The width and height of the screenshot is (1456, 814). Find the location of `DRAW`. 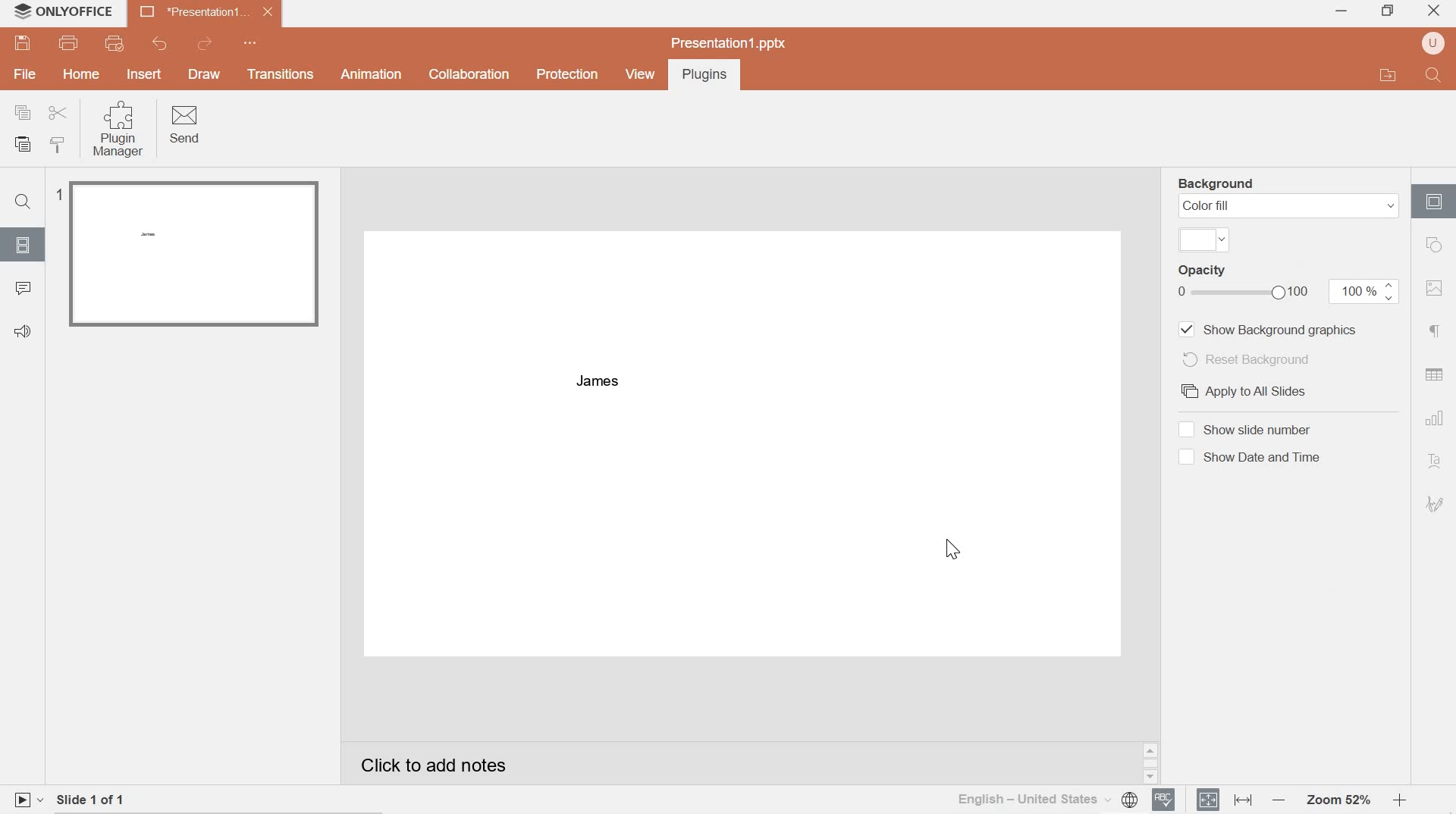

DRAW is located at coordinates (207, 76).